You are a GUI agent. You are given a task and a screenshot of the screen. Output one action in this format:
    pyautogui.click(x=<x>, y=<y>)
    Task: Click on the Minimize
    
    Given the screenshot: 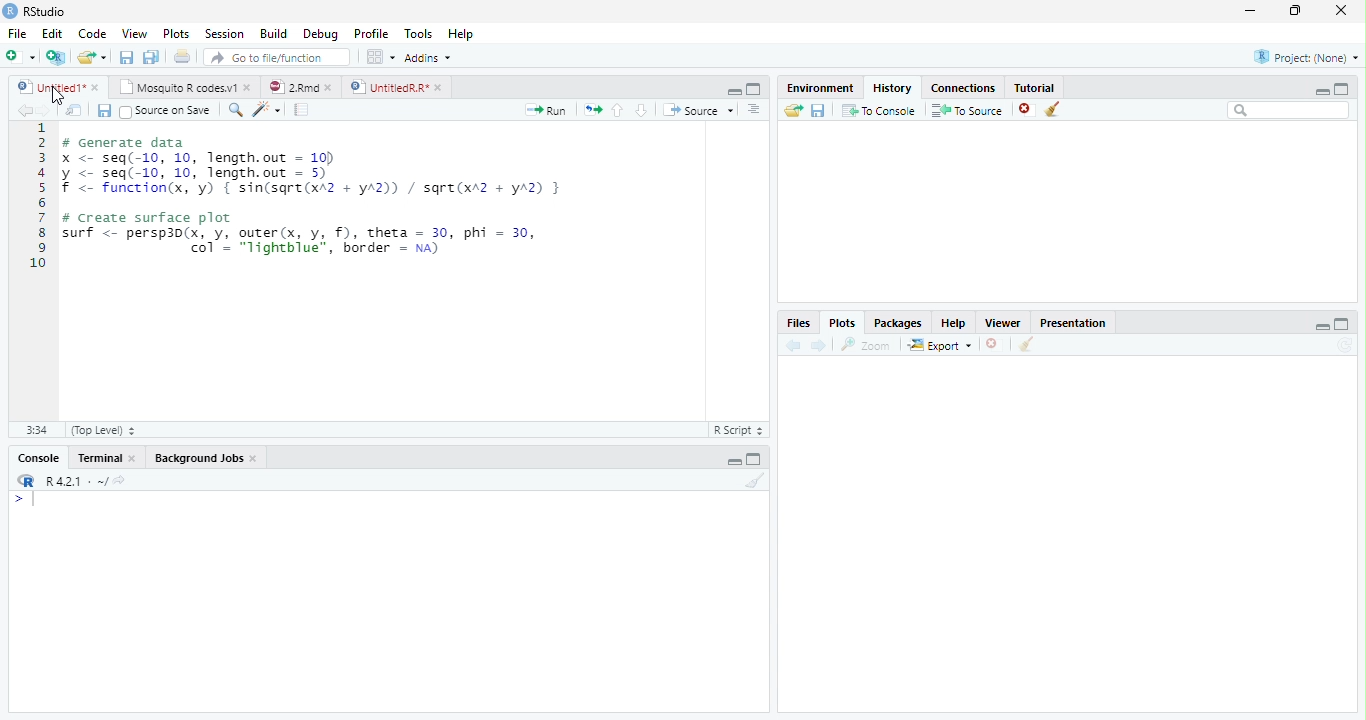 What is the action you would take?
    pyautogui.click(x=734, y=461)
    